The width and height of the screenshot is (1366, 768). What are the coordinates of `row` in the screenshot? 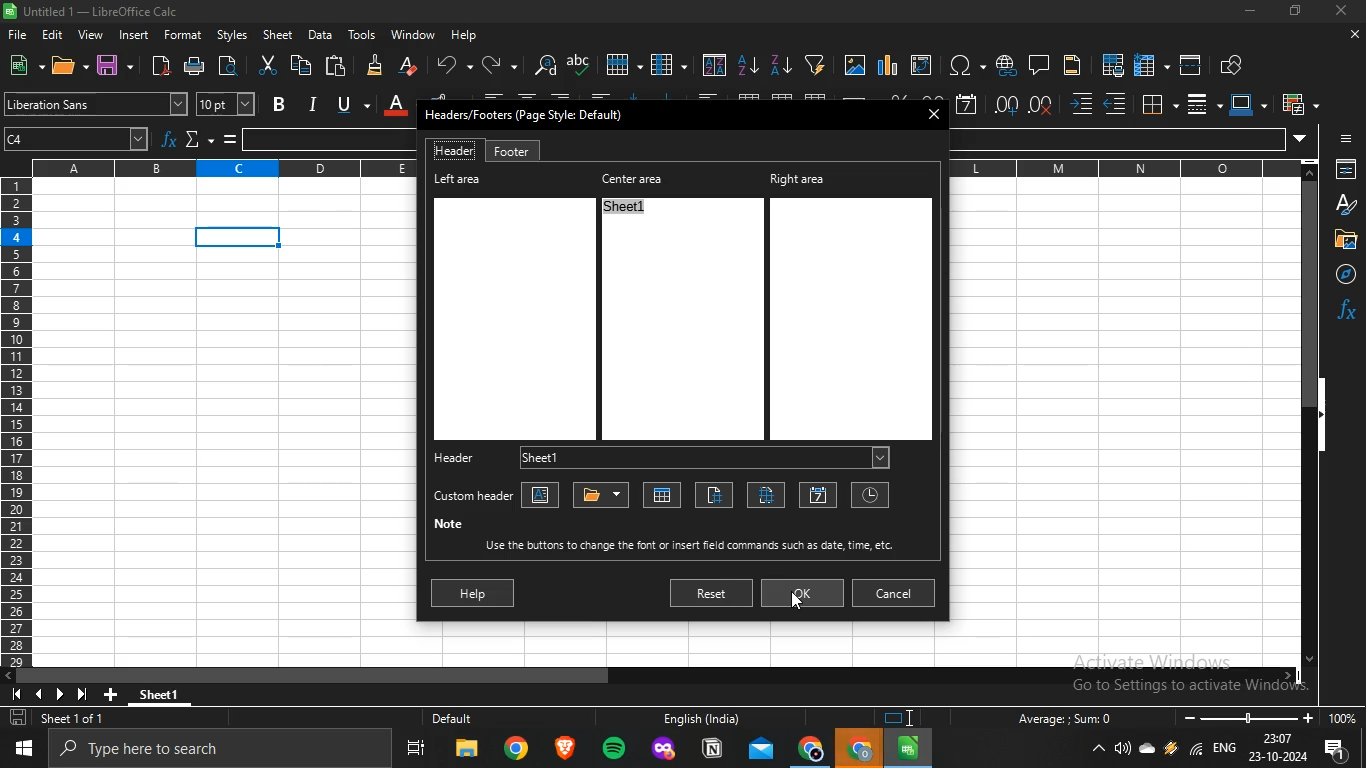 It's located at (621, 64).